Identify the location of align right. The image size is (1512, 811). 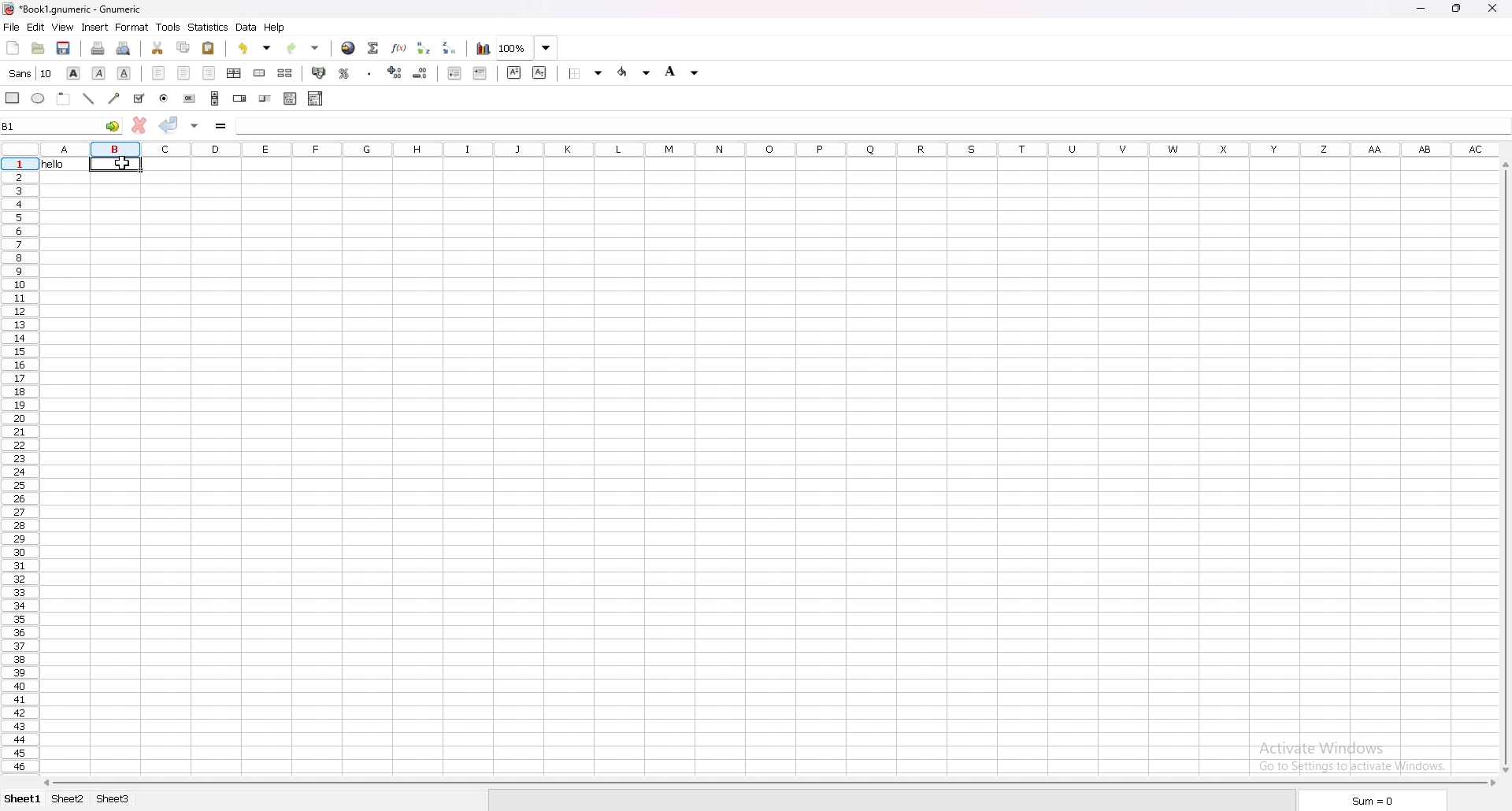
(209, 74).